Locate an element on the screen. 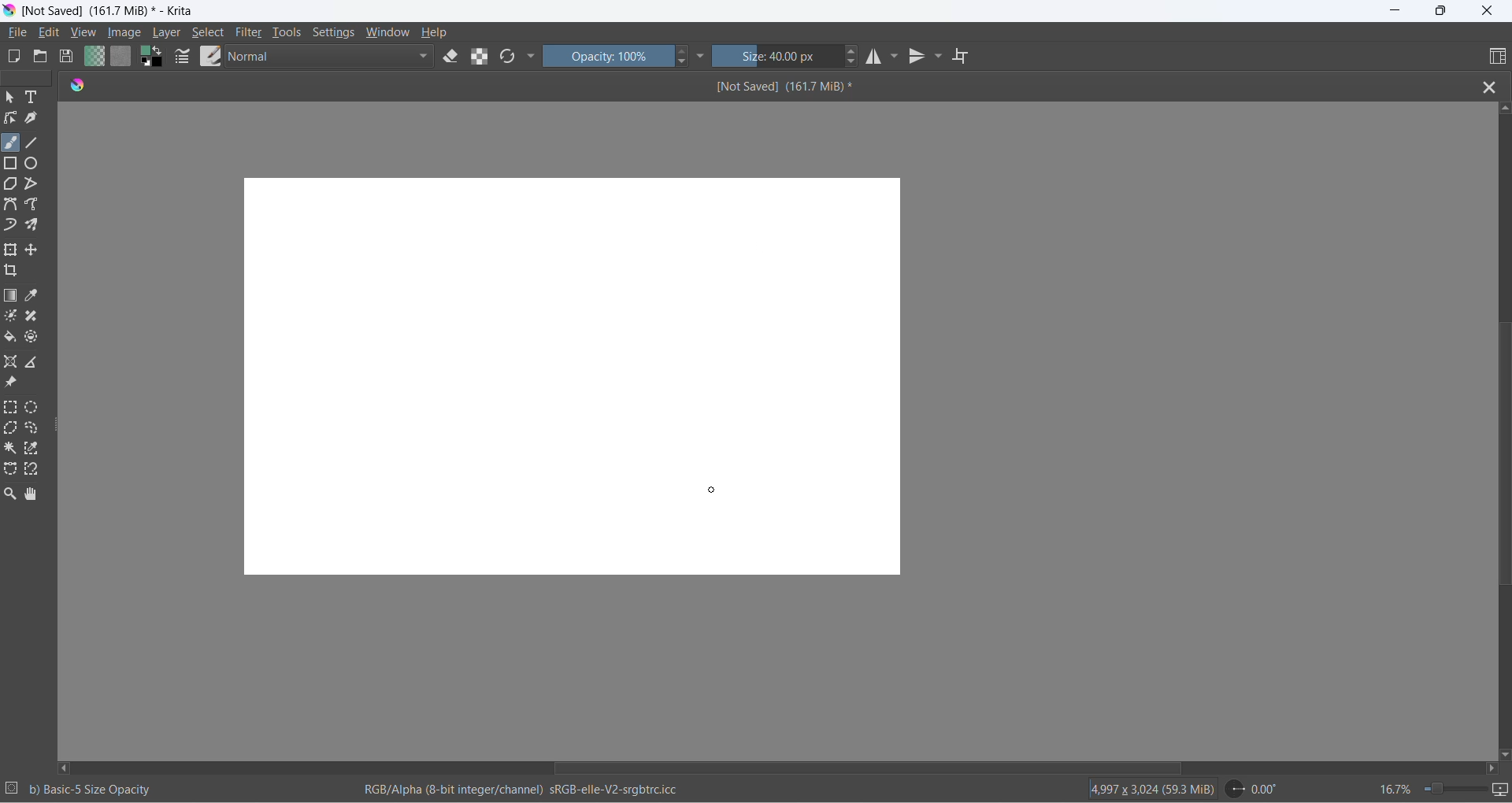 The image size is (1512, 803). assistant tool is located at coordinates (13, 363).